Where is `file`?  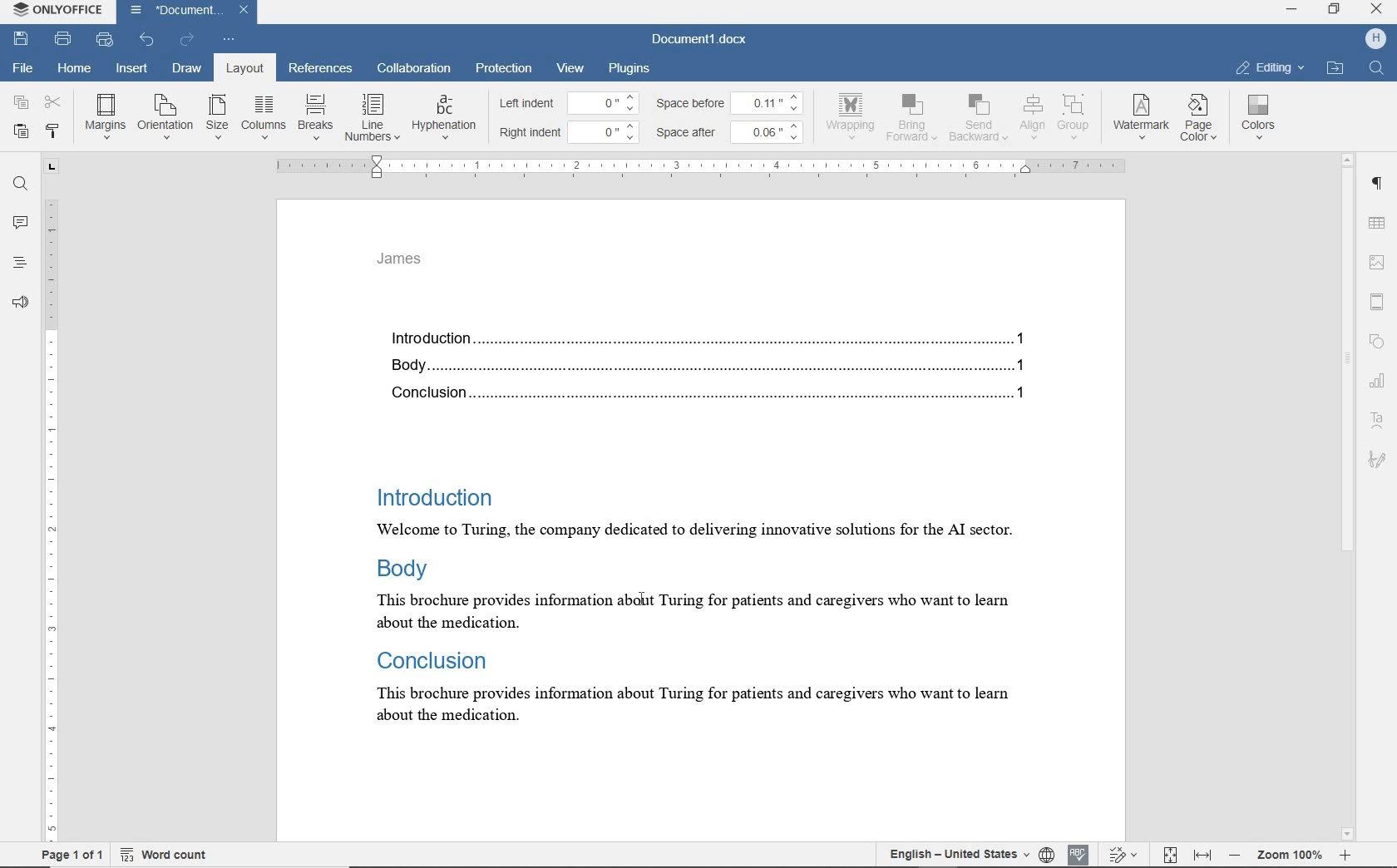 file is located at coordinates (24, 66).